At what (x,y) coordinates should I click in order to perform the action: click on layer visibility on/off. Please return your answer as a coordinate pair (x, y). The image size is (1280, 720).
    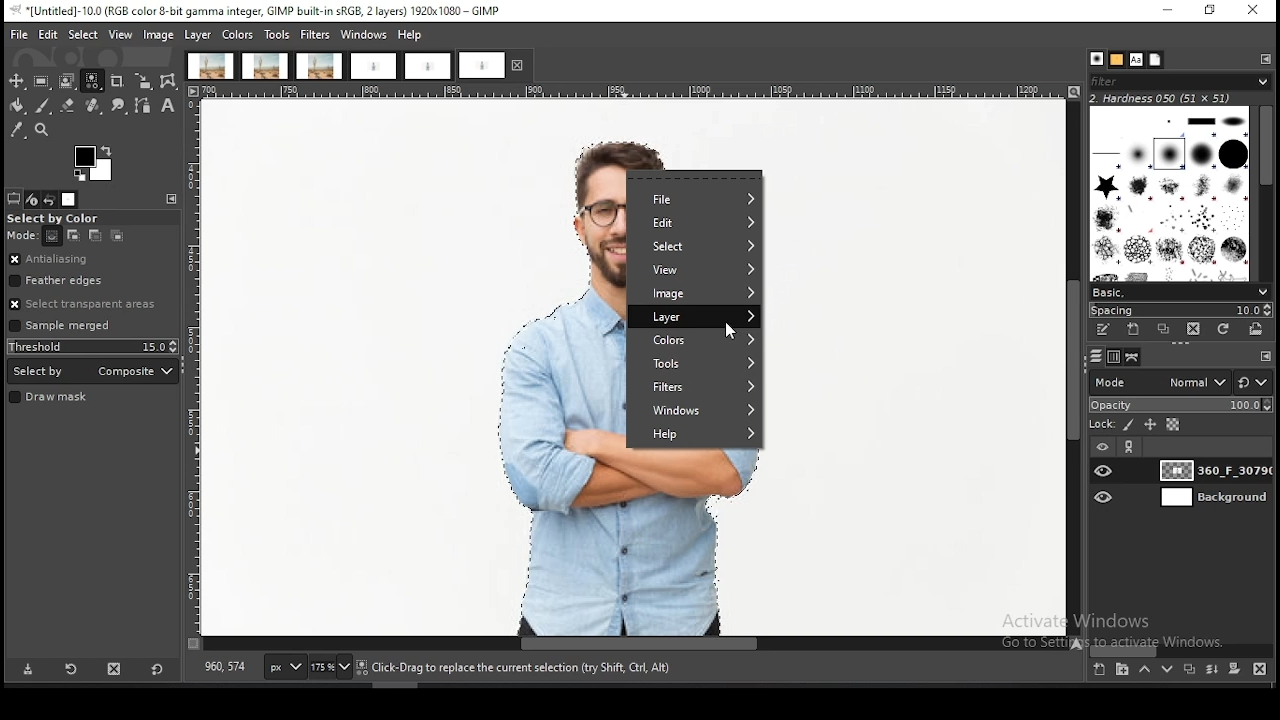
    Looking at the image, I should click on (1105, 498).